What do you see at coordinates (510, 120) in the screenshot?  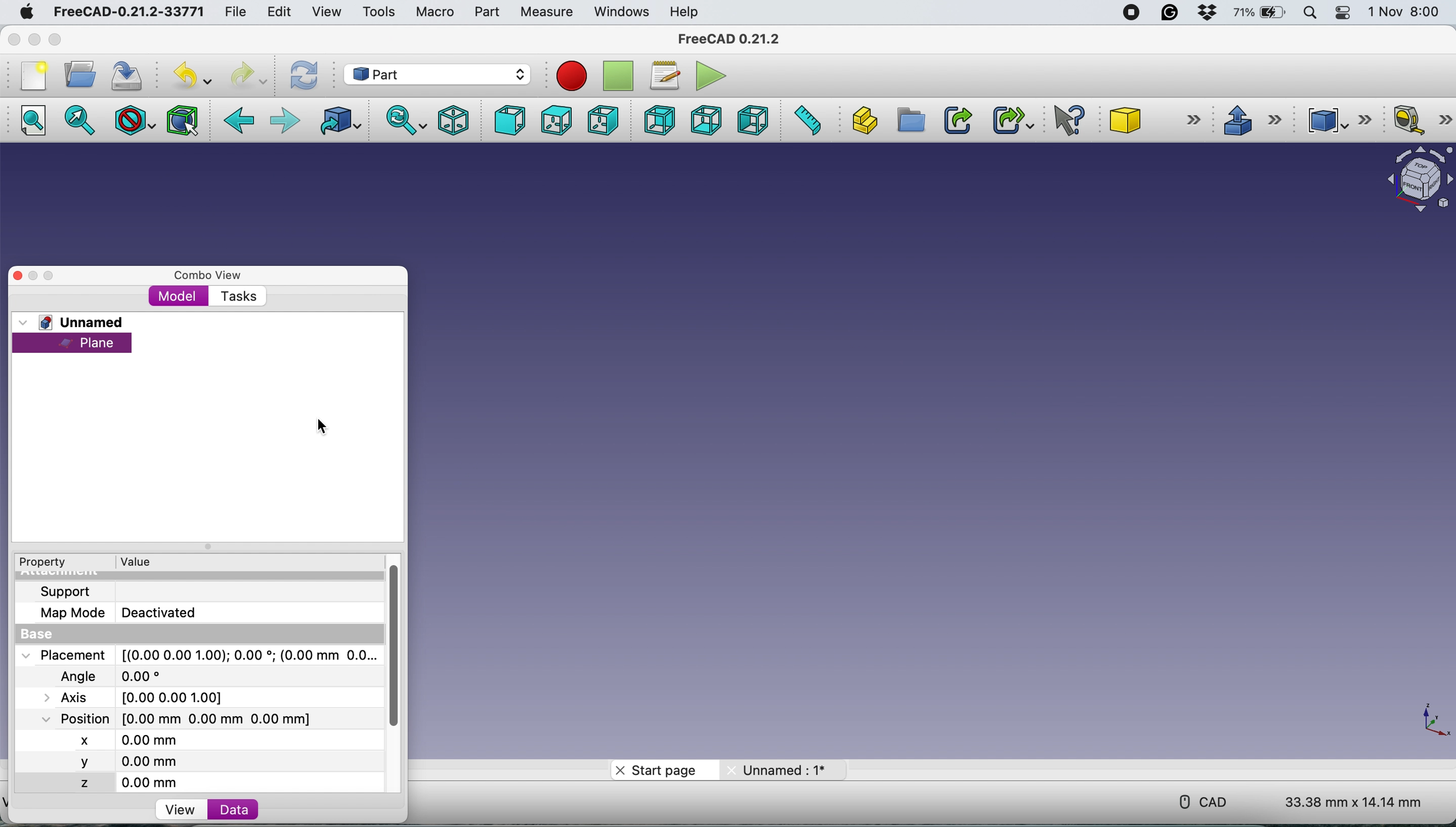 I see `front` at bounding box center [510, 120].